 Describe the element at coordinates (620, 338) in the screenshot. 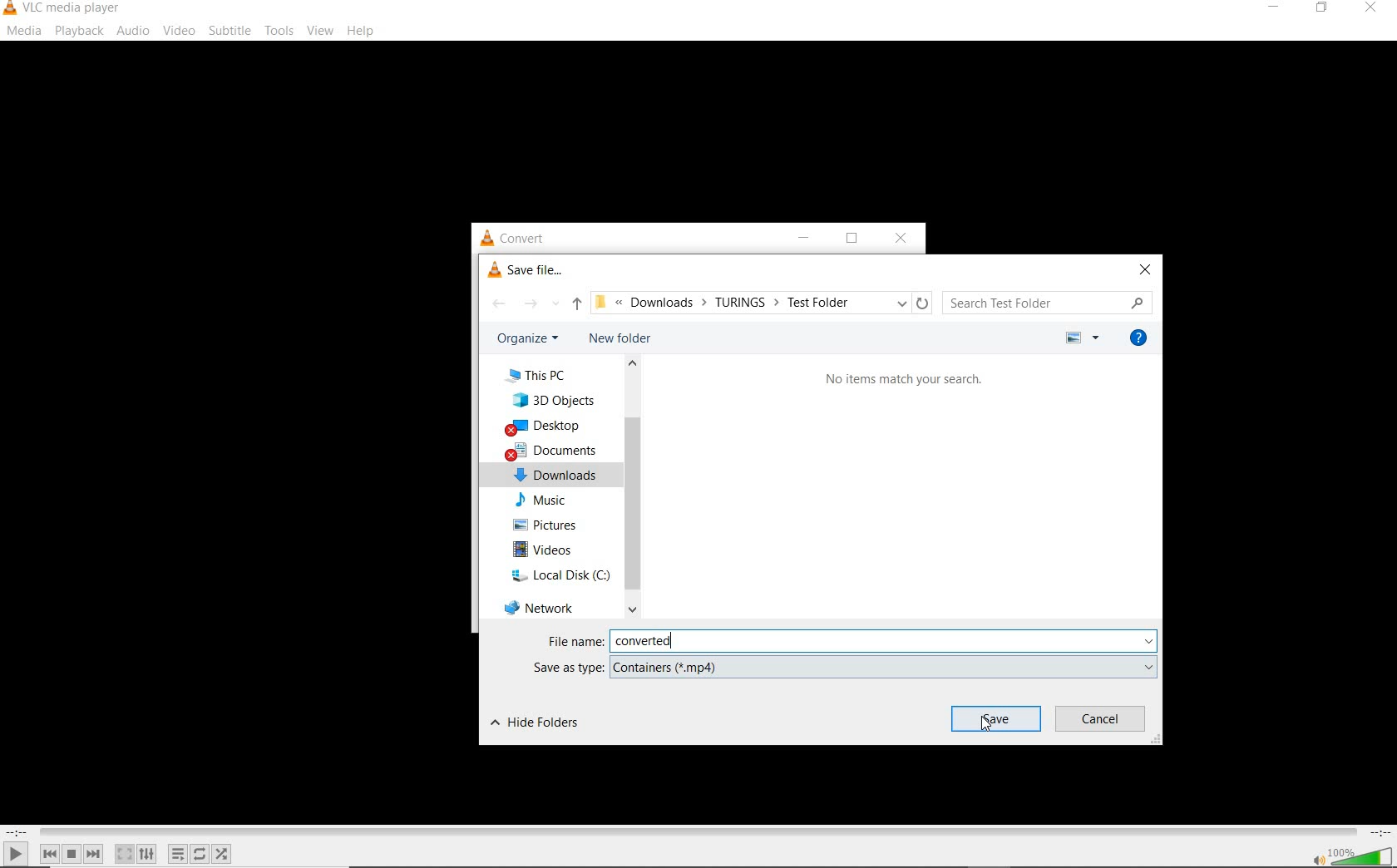

I see `new folder` at that location.